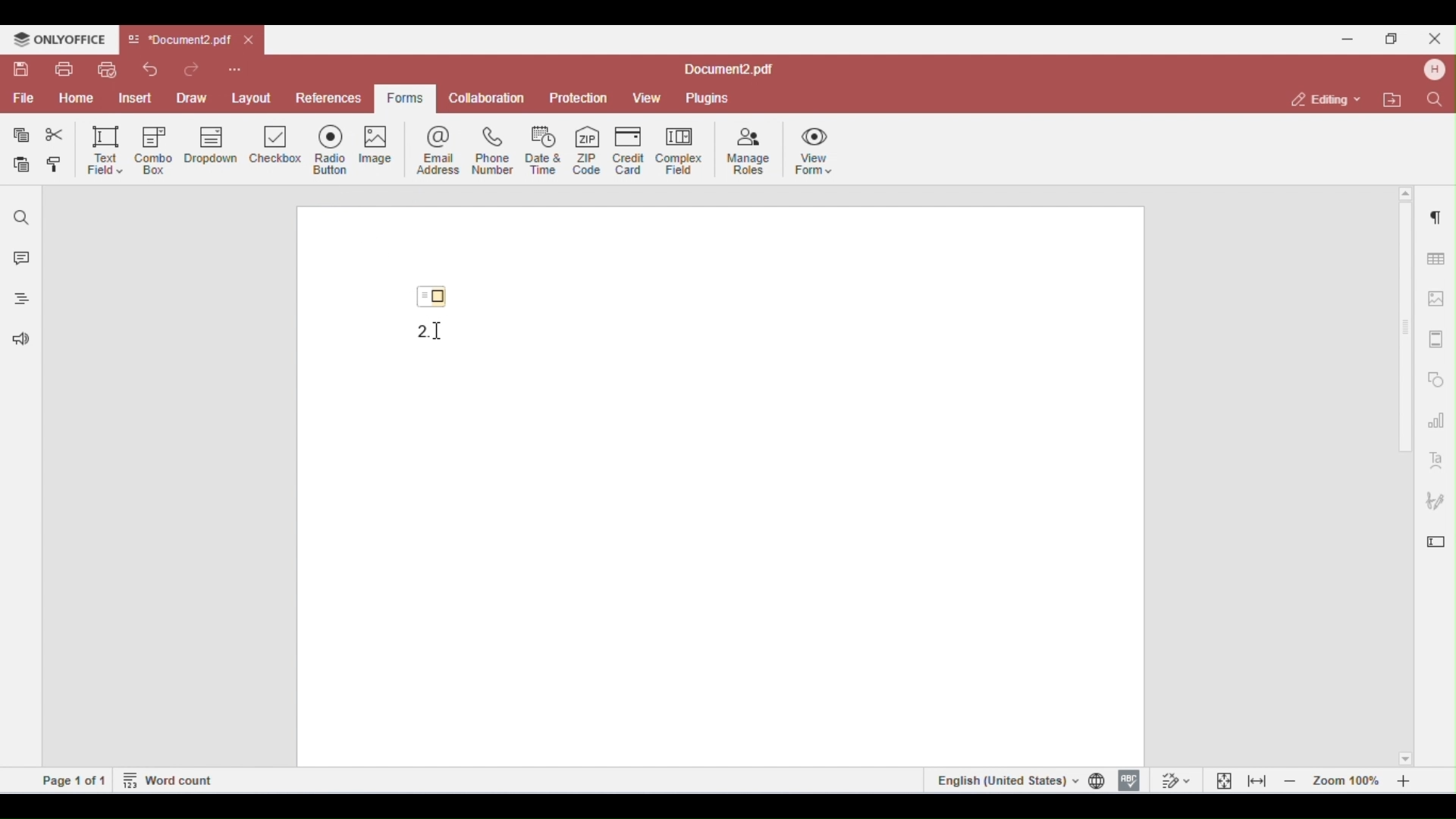 This screenshot has height=819, width=1456. What do you see at coordinates (1407, 338) in the screenshot?
I see `vertical scroll bar` at bounding box center [1407, 338].